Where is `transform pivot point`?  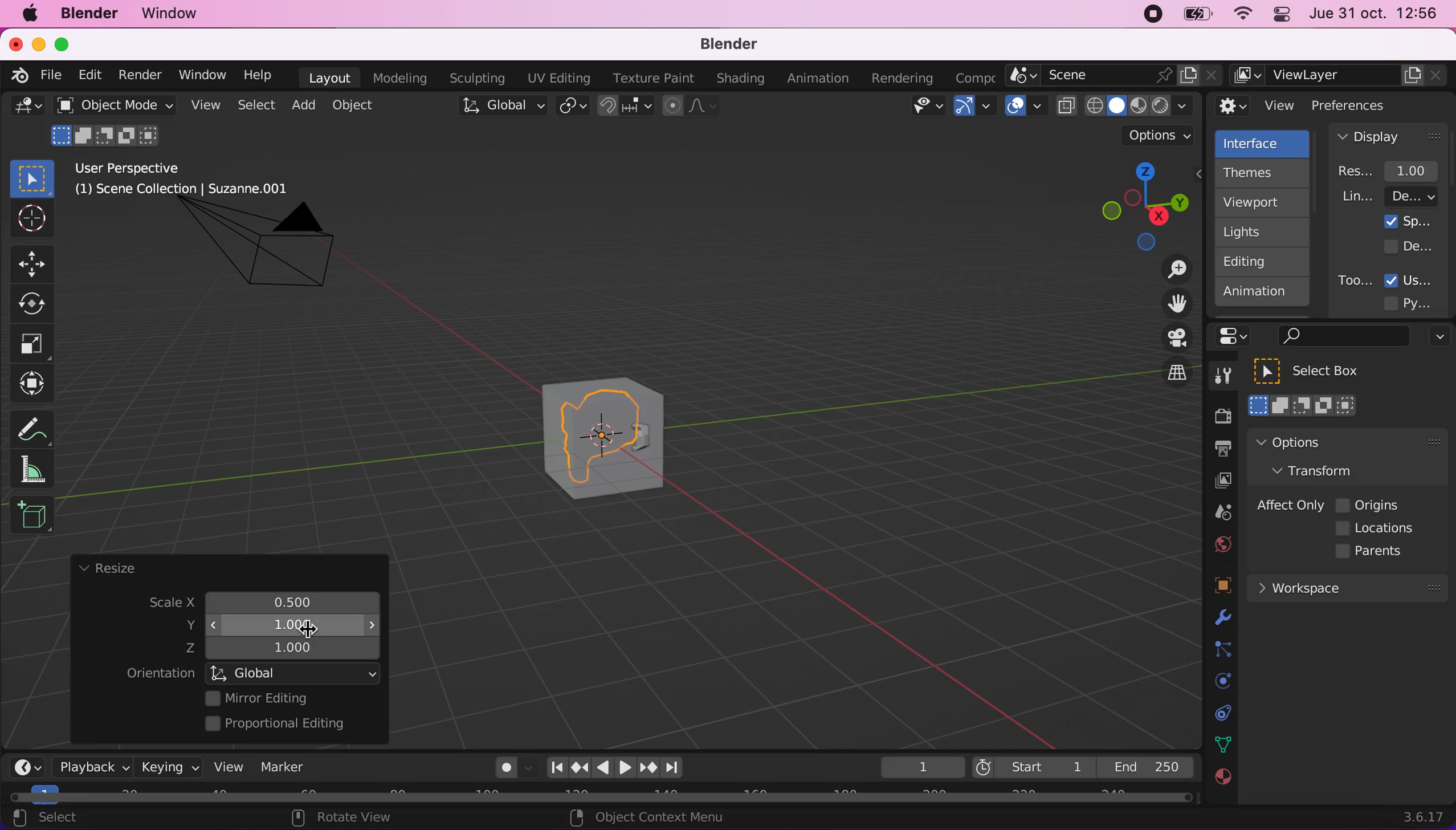
transform pivot point is located at coordinates (574, 107).